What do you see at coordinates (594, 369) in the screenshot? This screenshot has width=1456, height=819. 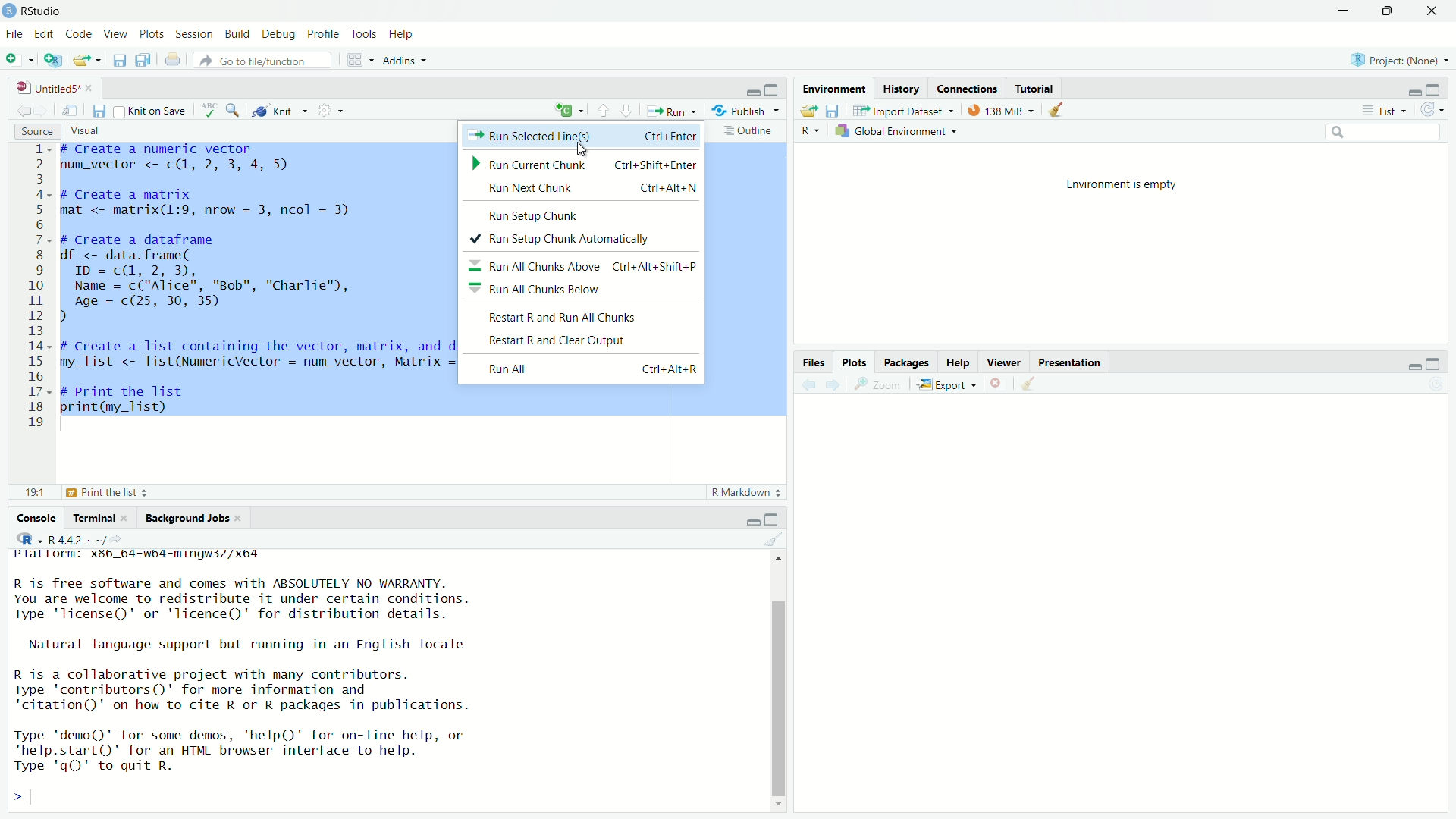 I see `Run All Ctrl+Alt+R |` at bounding box center [594, 369].